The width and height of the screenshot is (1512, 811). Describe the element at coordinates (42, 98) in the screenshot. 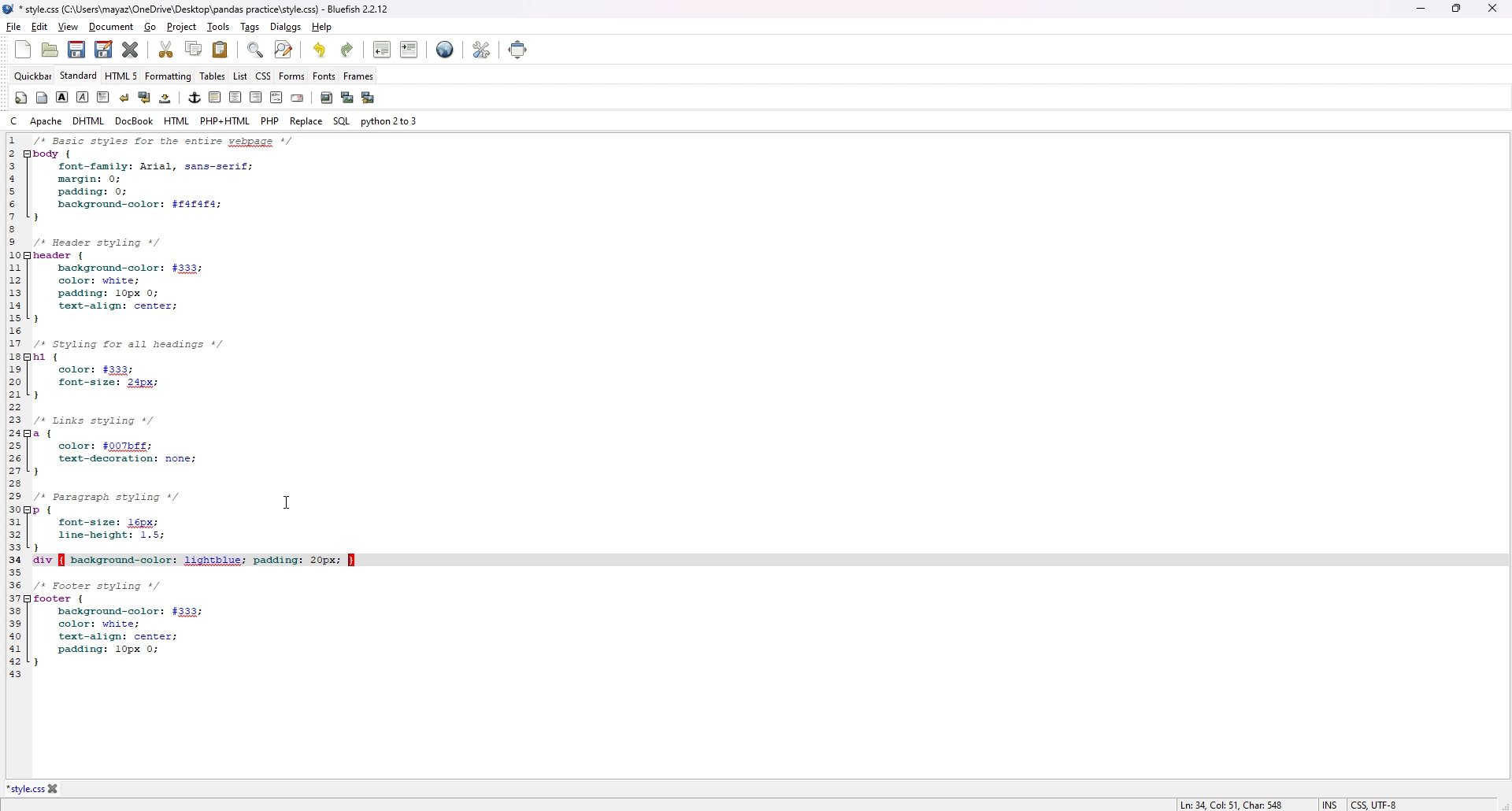

I see `body` at that location.